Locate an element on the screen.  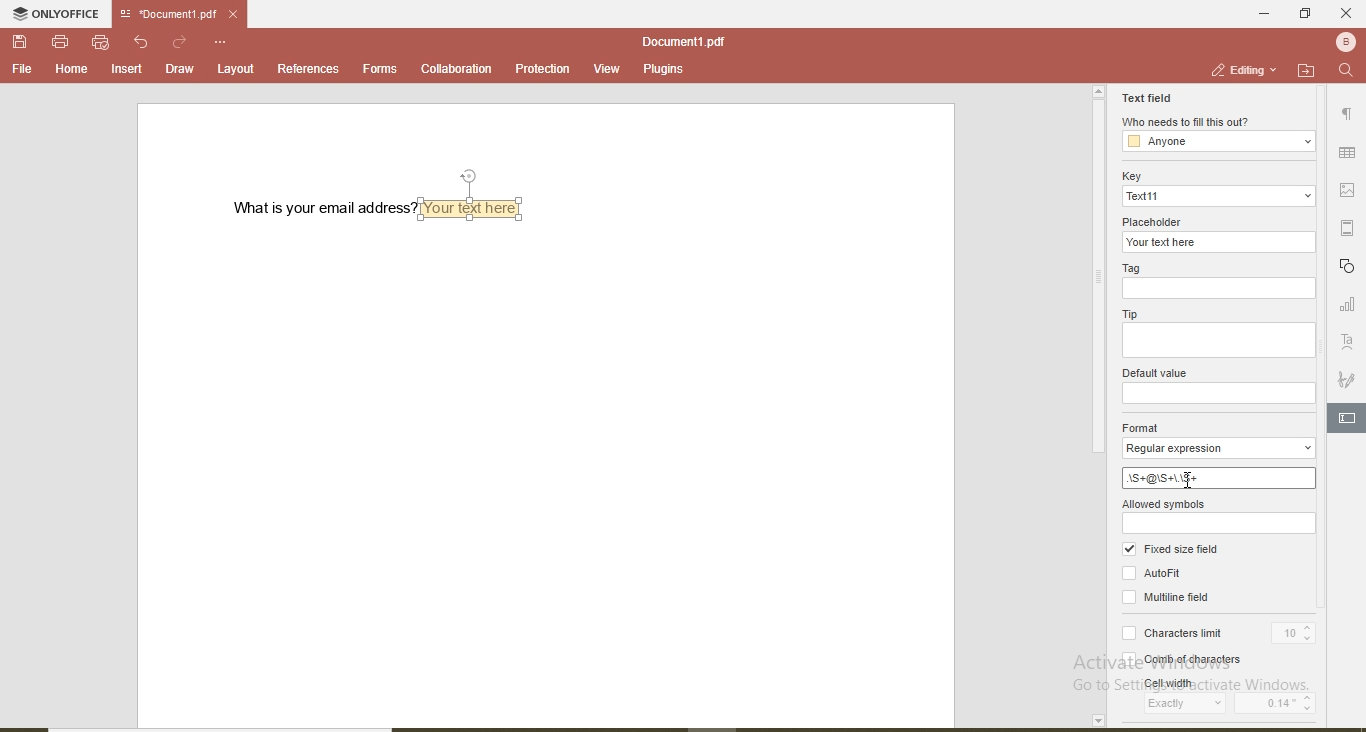
graph is located at coordinates (1347, 306).